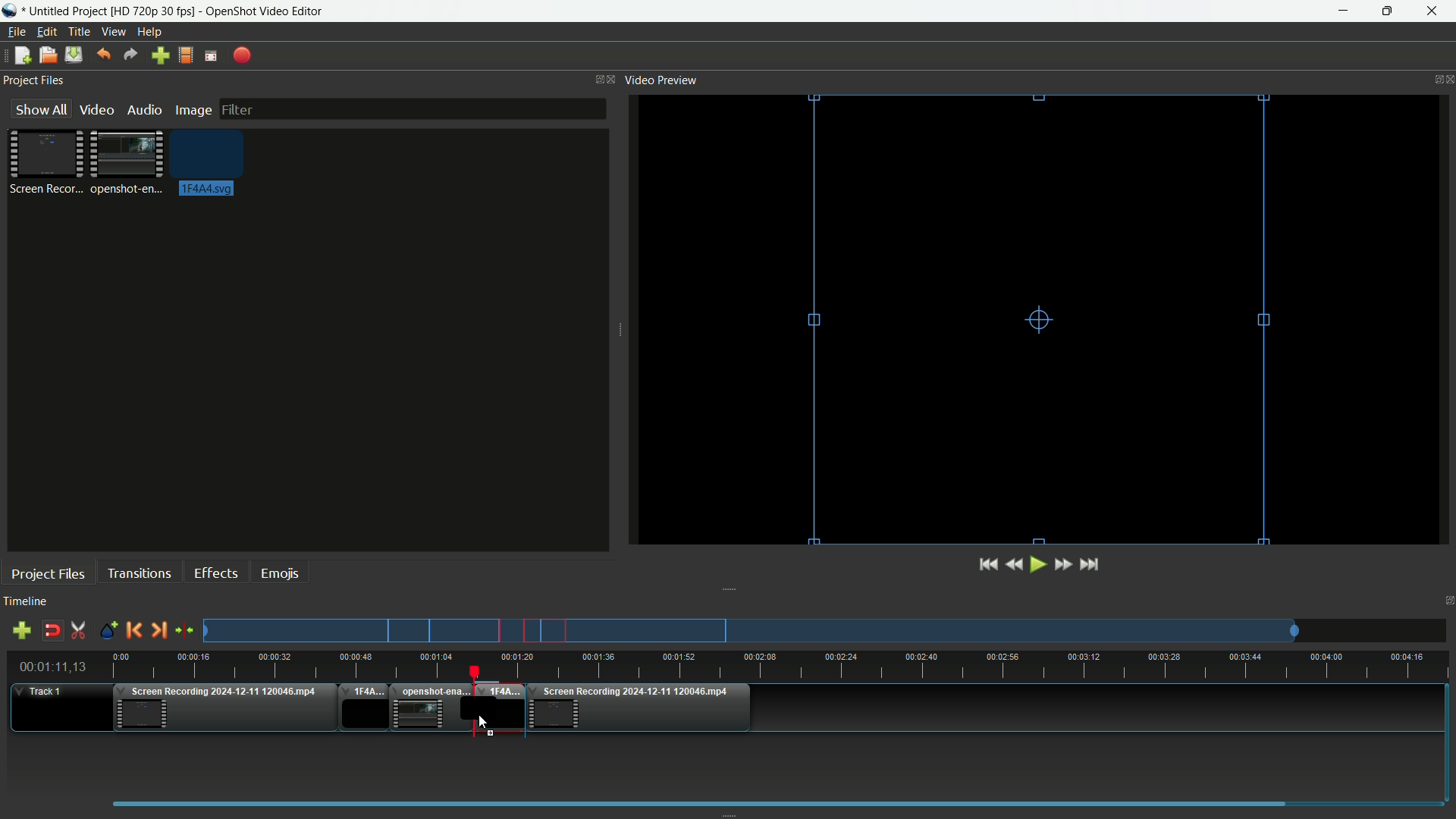  I want to click on close app, so click(1432, 11).